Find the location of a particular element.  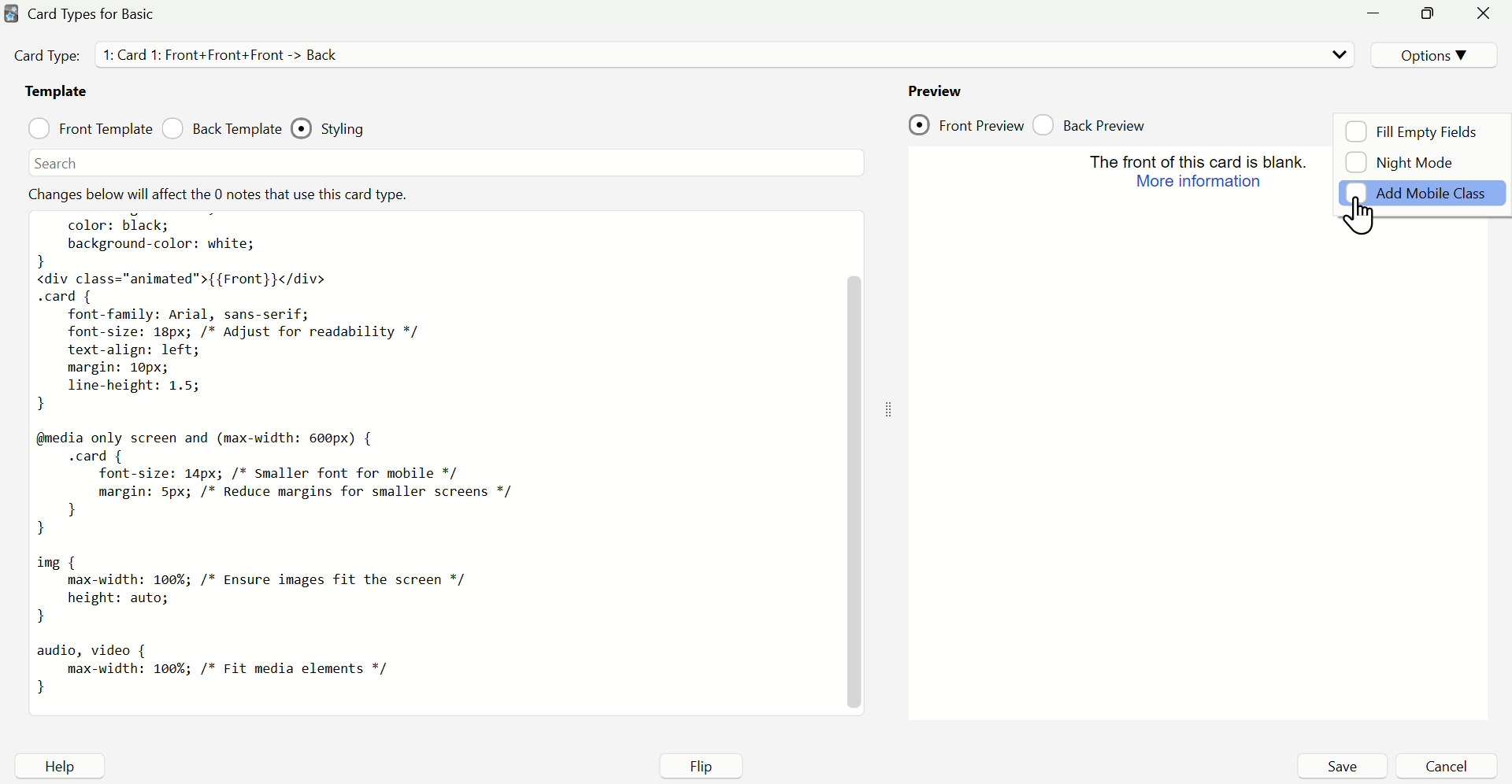

Card Type is located at coordinates (98, 15).